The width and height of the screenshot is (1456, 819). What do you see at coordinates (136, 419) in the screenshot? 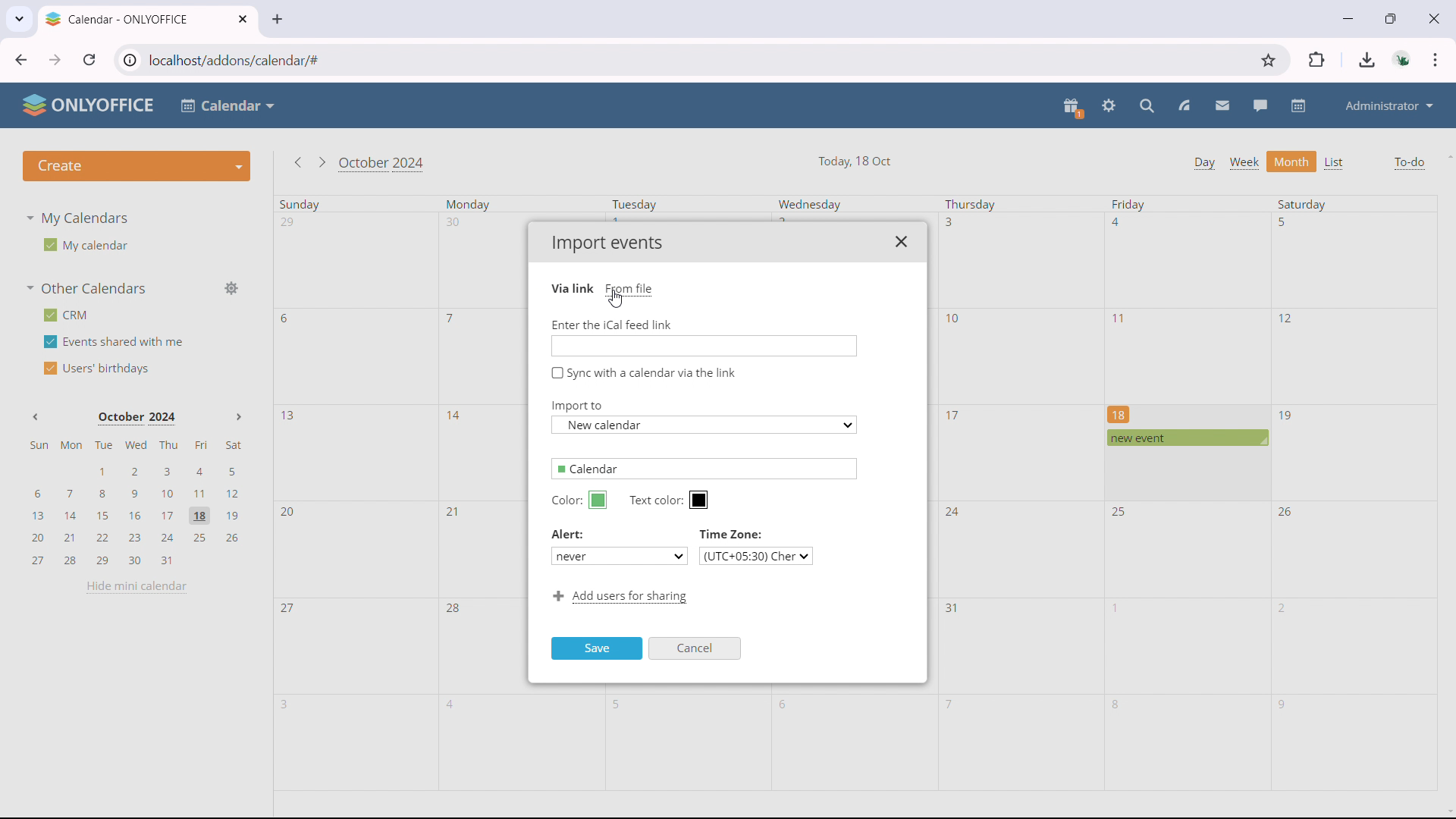
I see `October 2024` at bounding box center [136, 419].